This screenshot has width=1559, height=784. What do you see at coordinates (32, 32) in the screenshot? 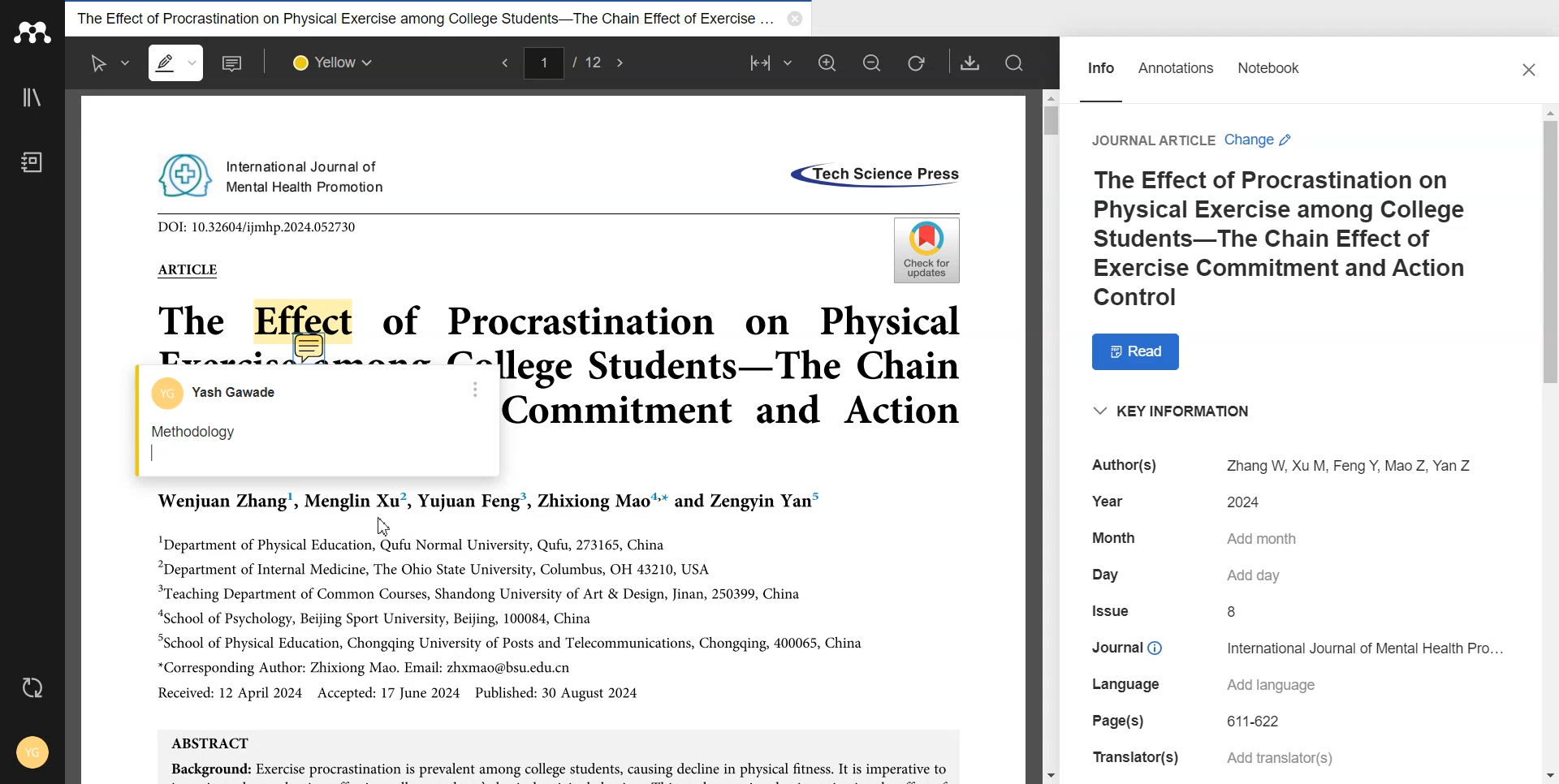
I see `Logo` at bounding box center [32, 32].